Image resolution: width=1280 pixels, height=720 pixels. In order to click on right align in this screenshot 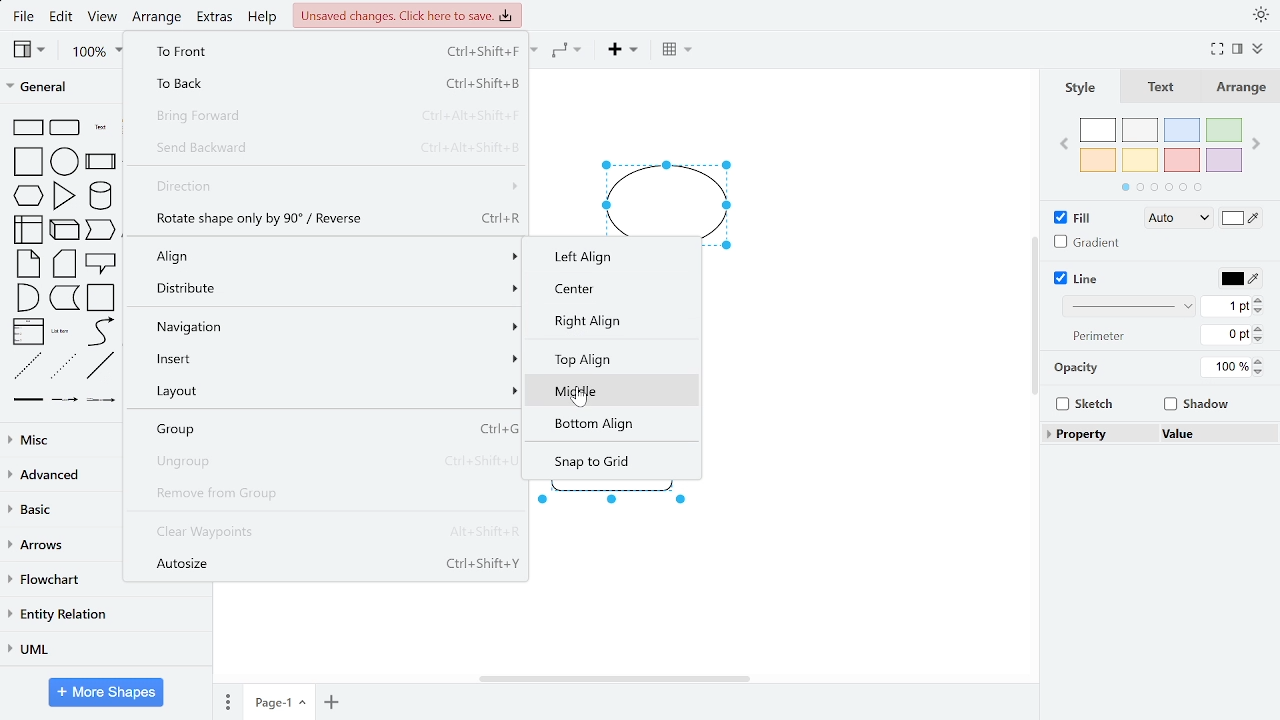, I will do `click(612, 323)`.